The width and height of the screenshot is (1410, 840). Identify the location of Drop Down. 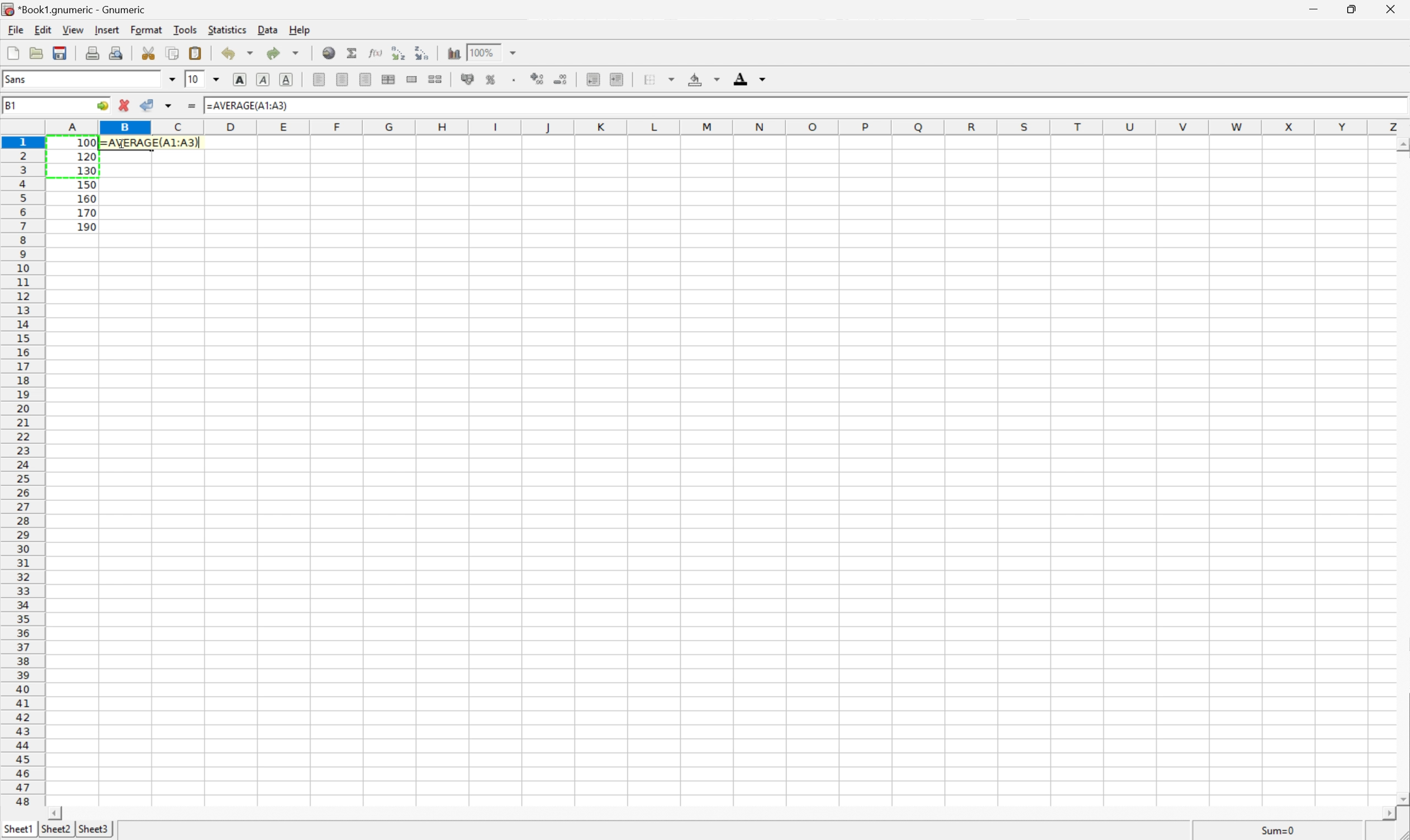
(174, 79).